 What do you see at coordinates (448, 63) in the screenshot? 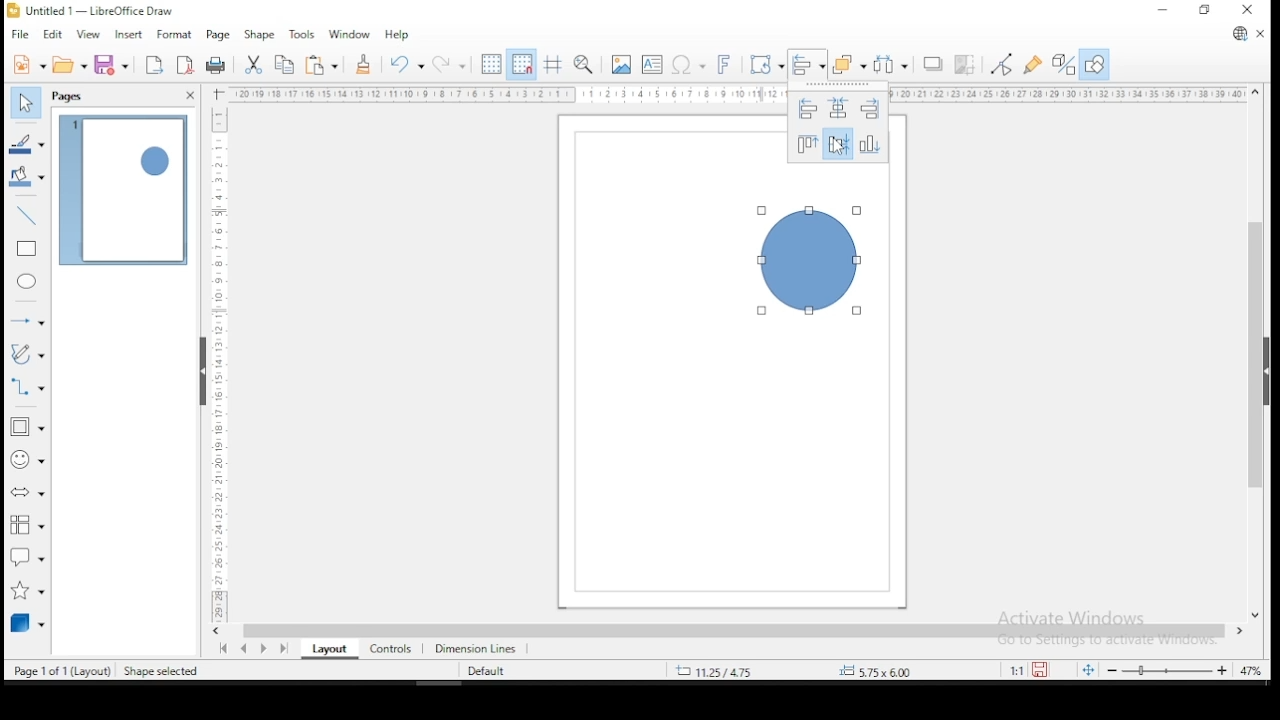
I see `redo` at bounding box center [448, 63].